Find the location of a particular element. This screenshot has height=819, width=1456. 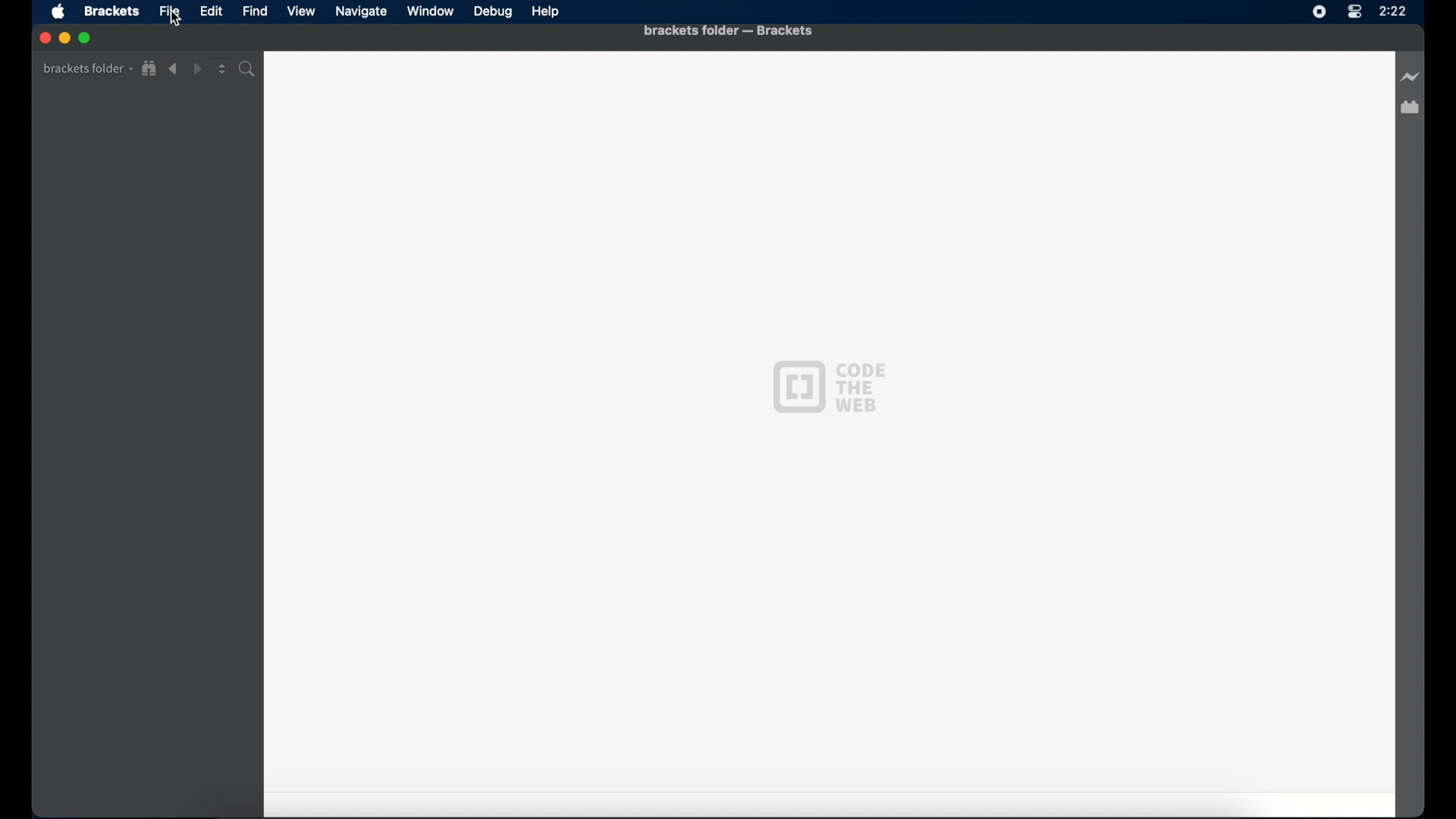

forward is located at coordinates (197, 69).